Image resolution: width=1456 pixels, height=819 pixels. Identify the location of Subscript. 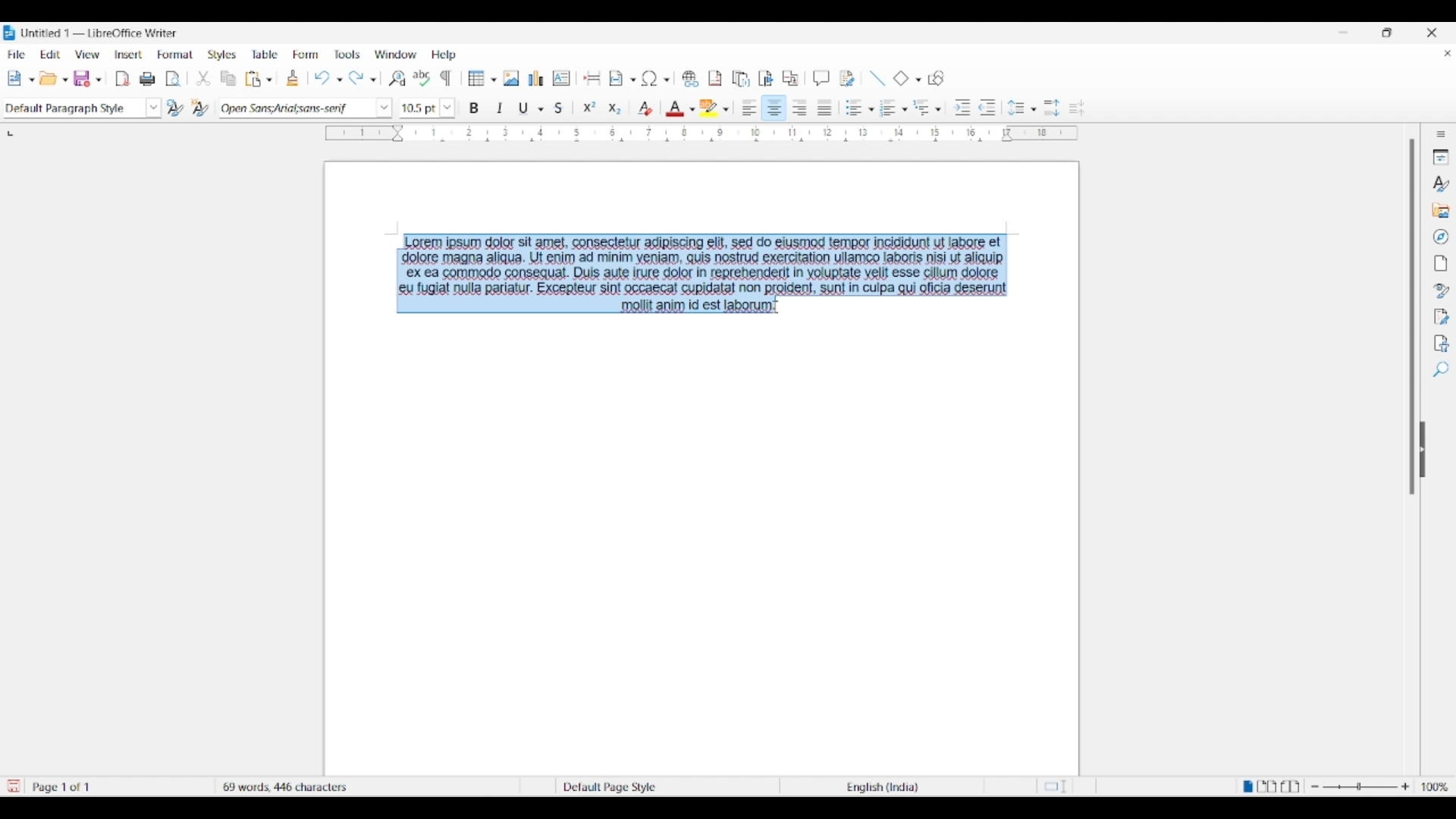
(615, 109).